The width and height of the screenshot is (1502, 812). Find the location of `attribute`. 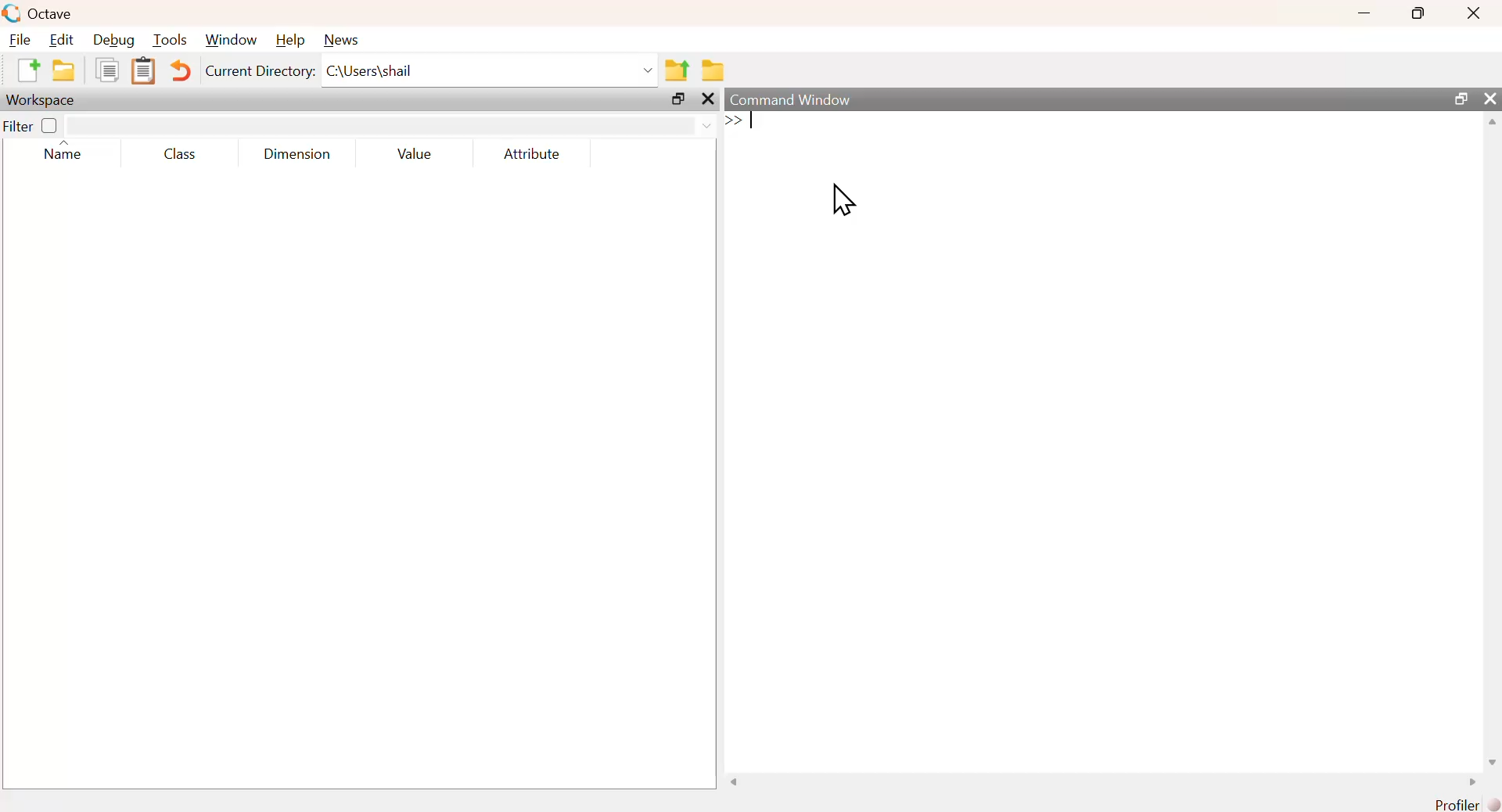

attribute is located at coordinates (530, 154).